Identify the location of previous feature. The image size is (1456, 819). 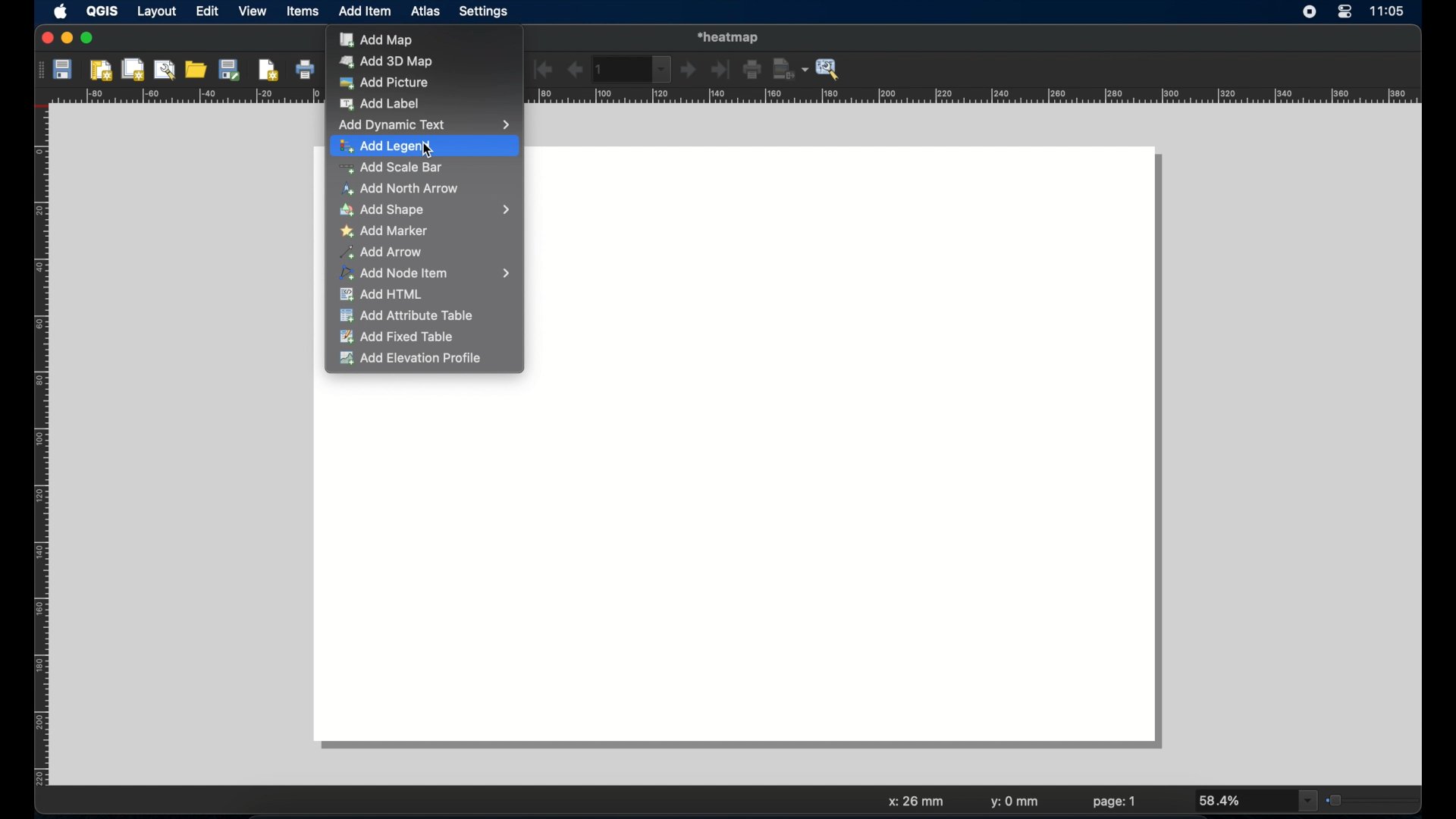
(574, 70).